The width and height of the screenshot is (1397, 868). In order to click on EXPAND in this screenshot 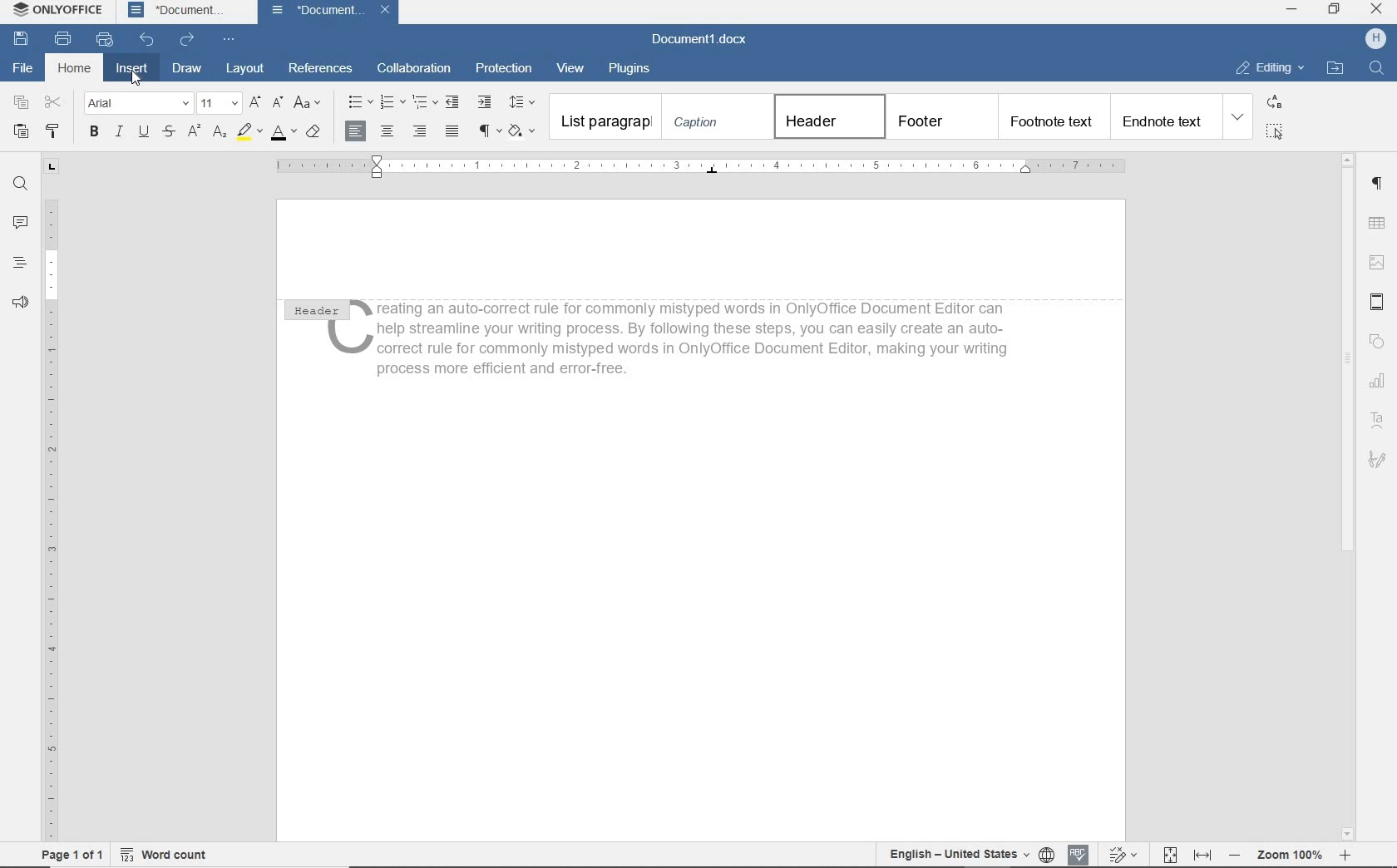, I will do `click(1237, 117)`.